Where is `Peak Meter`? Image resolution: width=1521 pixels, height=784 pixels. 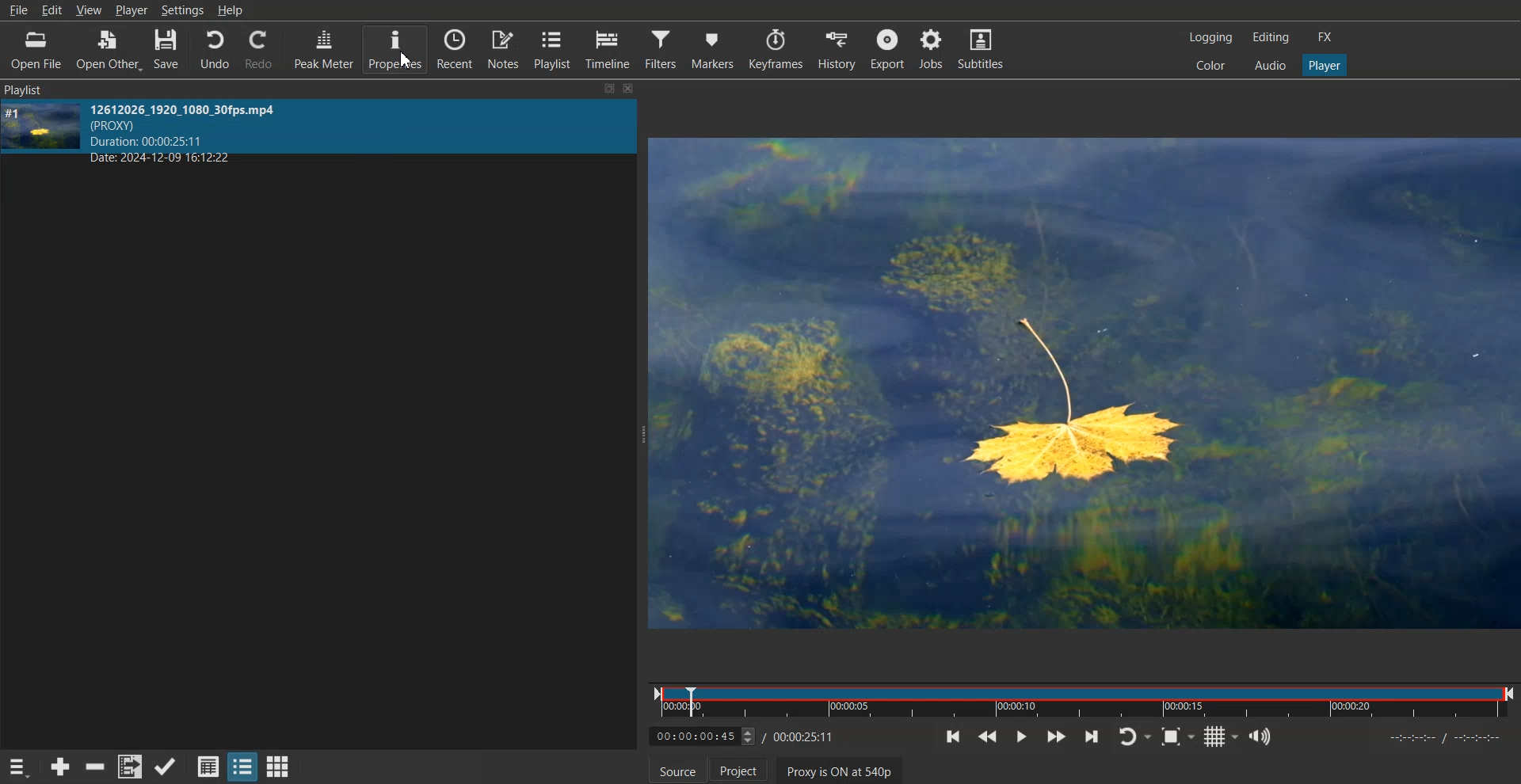 Peak Meter is located at coordinates (325, 48).